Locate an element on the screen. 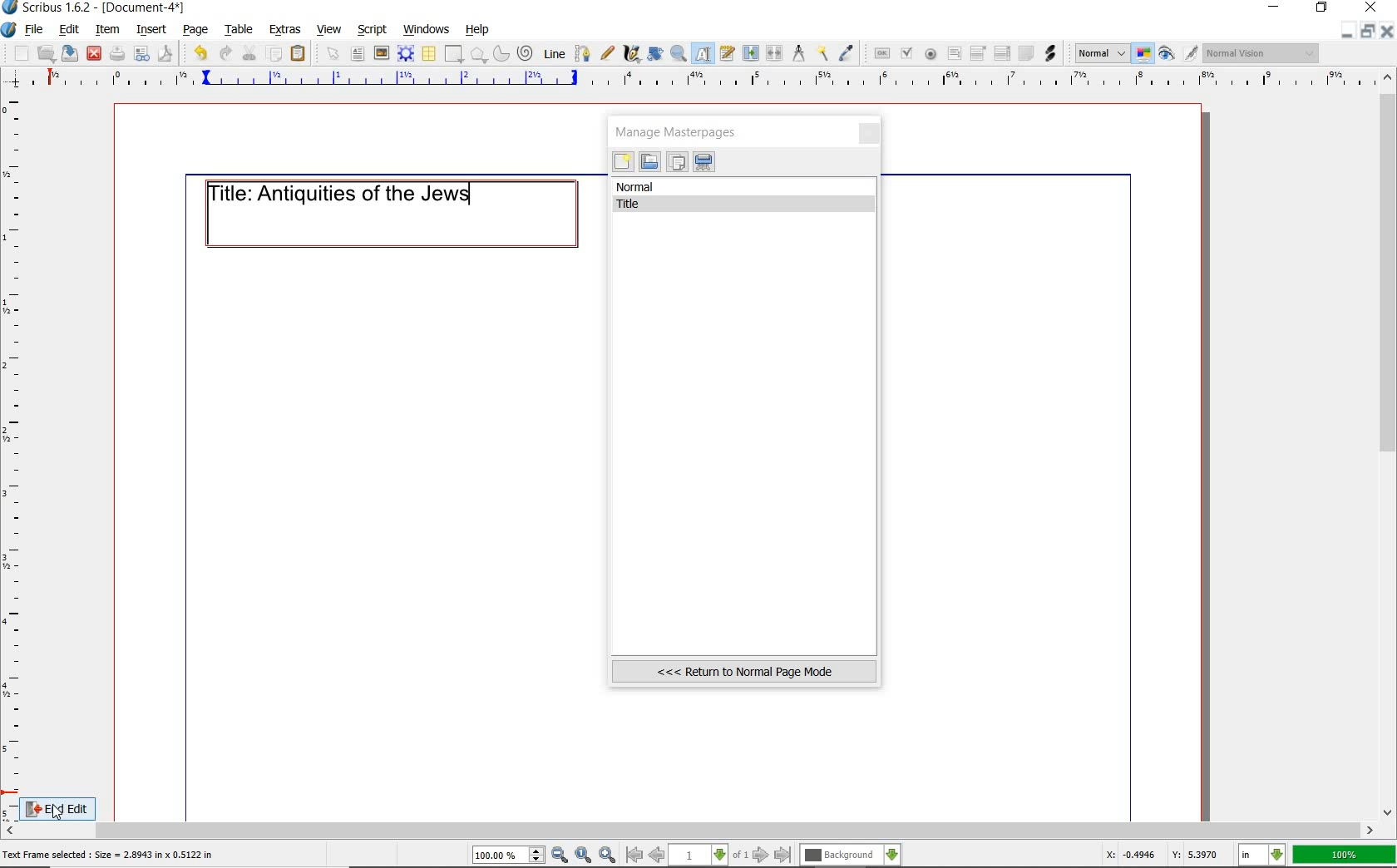  pdf combo box is located at coordinates (979, 52).